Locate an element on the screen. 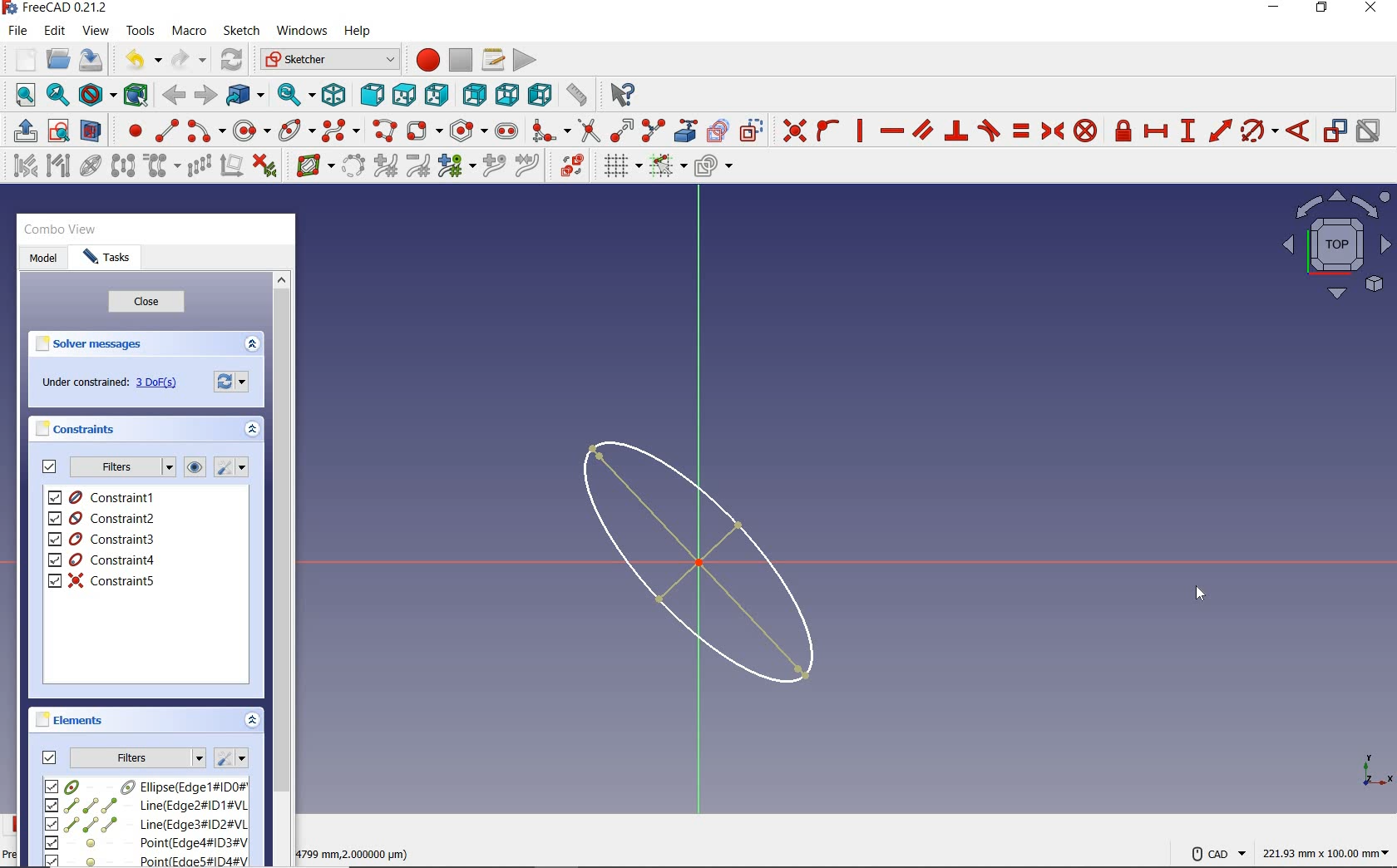  delete all constraints is located at coordinates (264, 165).